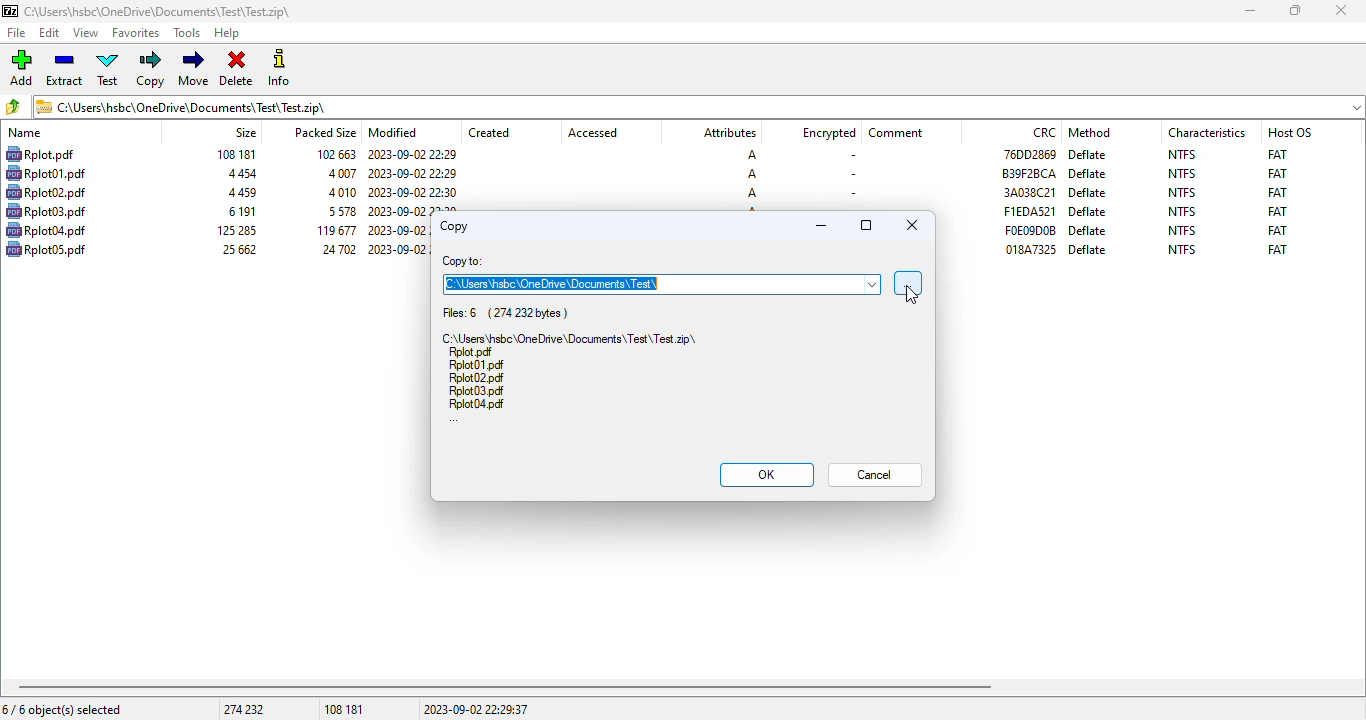  Describe the element at coordinates (1089, 154) in the screenshot. I see `deflate` at that location.